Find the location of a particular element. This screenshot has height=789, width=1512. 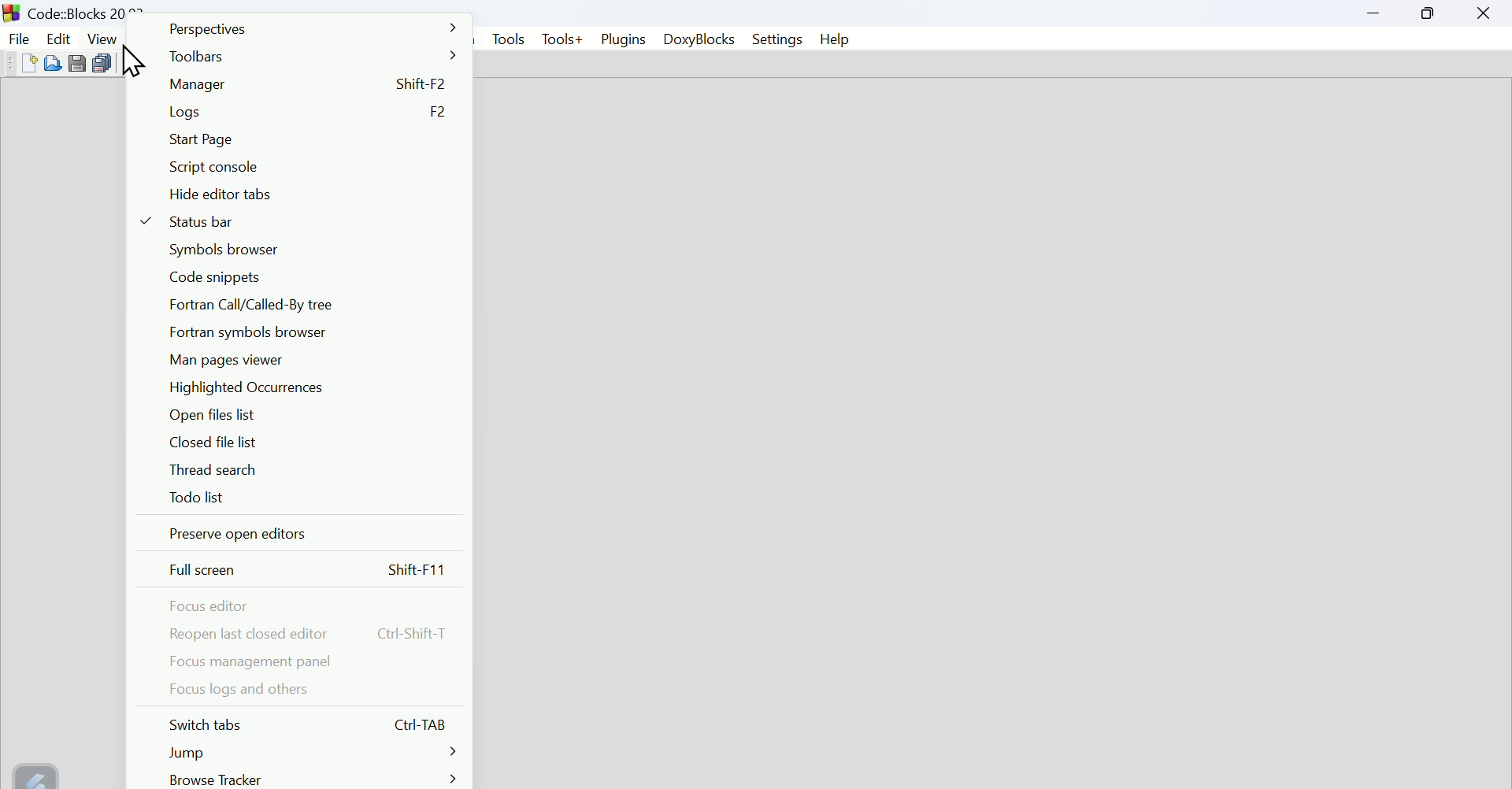

Doxyblocks is located at coordinates (698, 38).